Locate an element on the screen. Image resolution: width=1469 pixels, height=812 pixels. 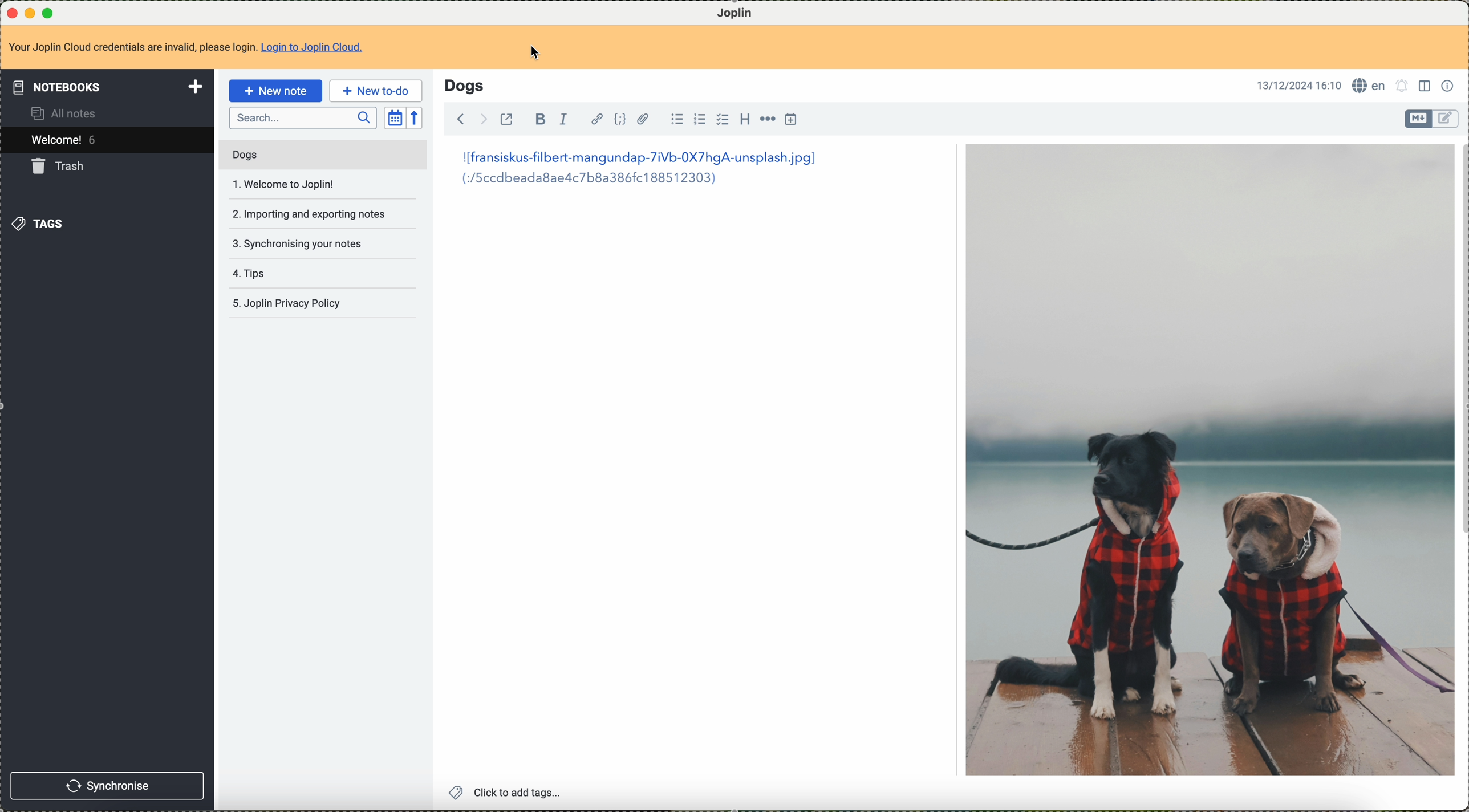
Your Joplin Cloud credentials are invalid, please login. Login to Joplin Cloud. is located at coordinates (197, 47).